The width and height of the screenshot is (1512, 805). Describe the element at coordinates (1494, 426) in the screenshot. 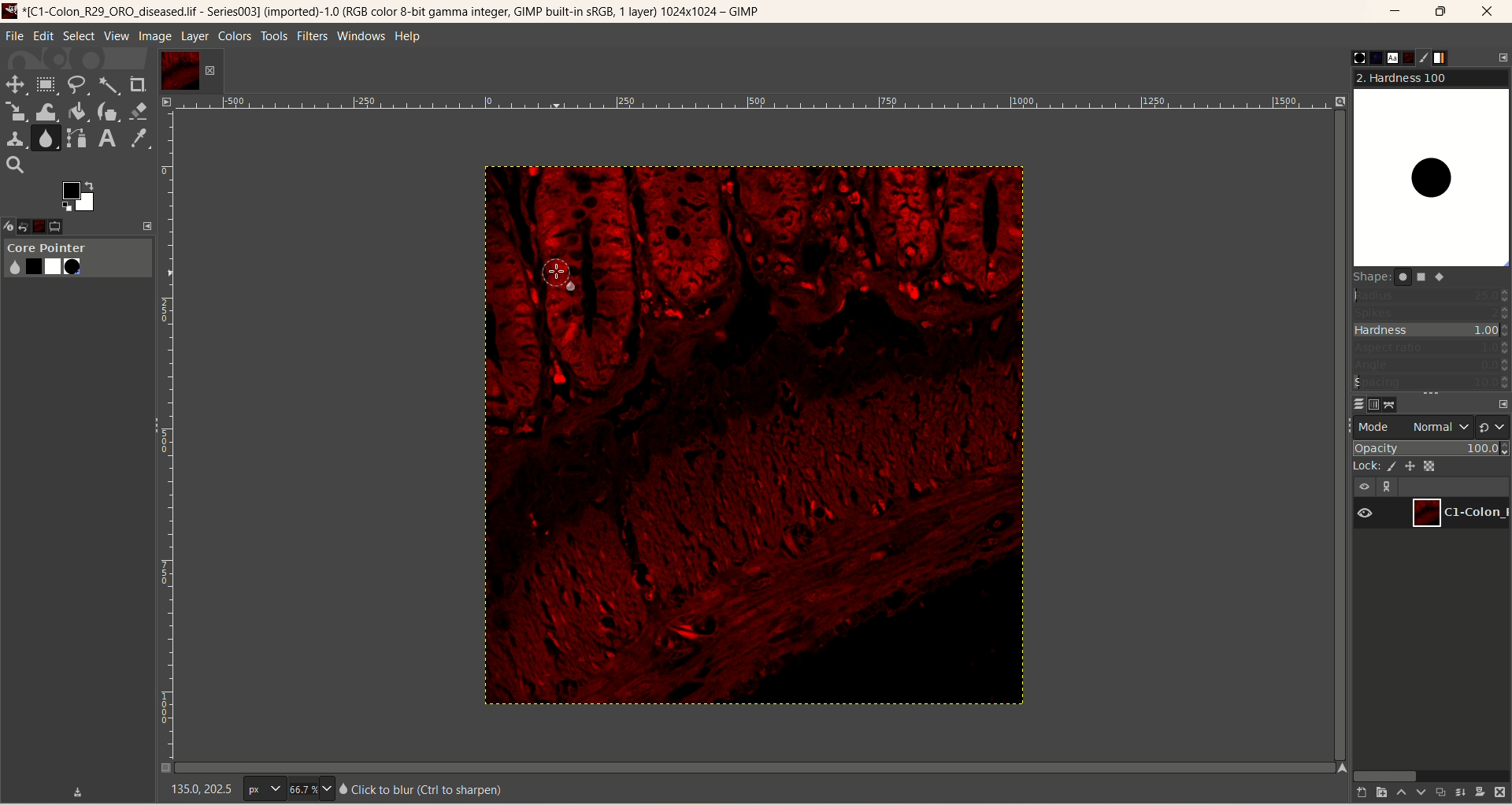

I see `switch to another group of mode` at that location.